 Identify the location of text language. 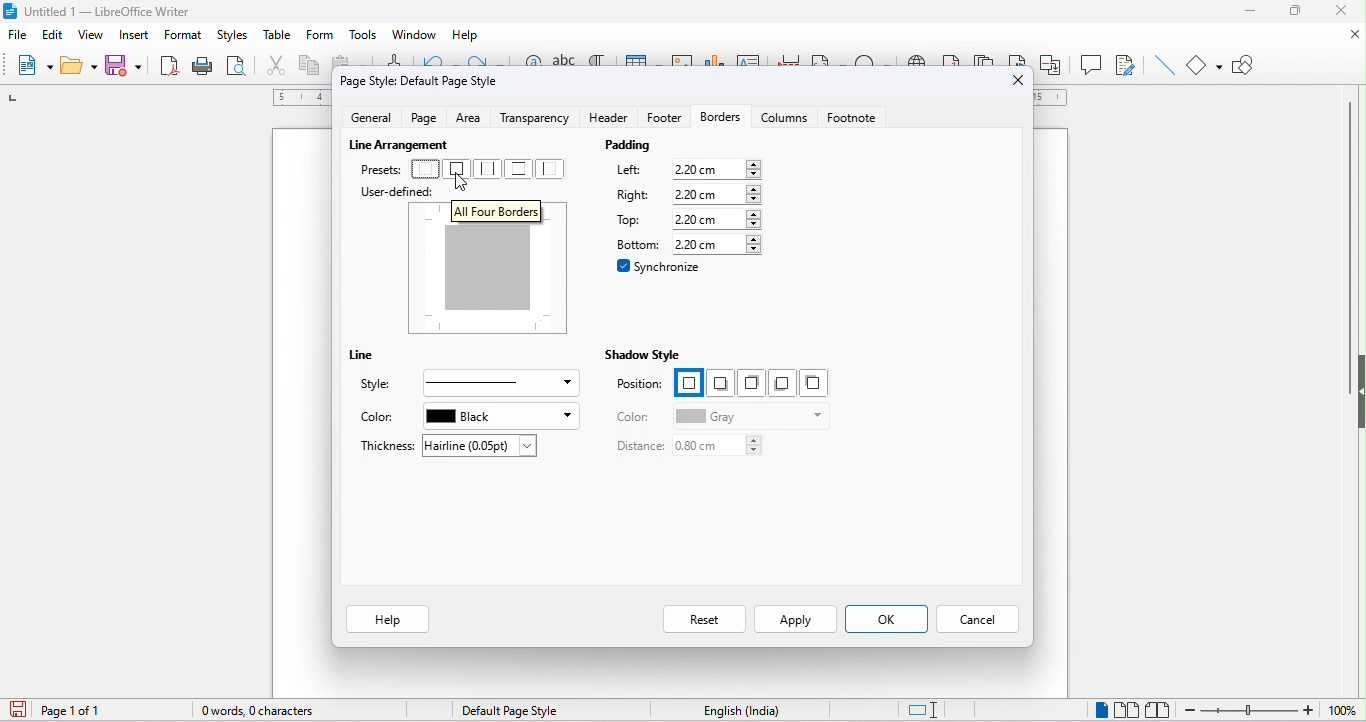
(741, 712).